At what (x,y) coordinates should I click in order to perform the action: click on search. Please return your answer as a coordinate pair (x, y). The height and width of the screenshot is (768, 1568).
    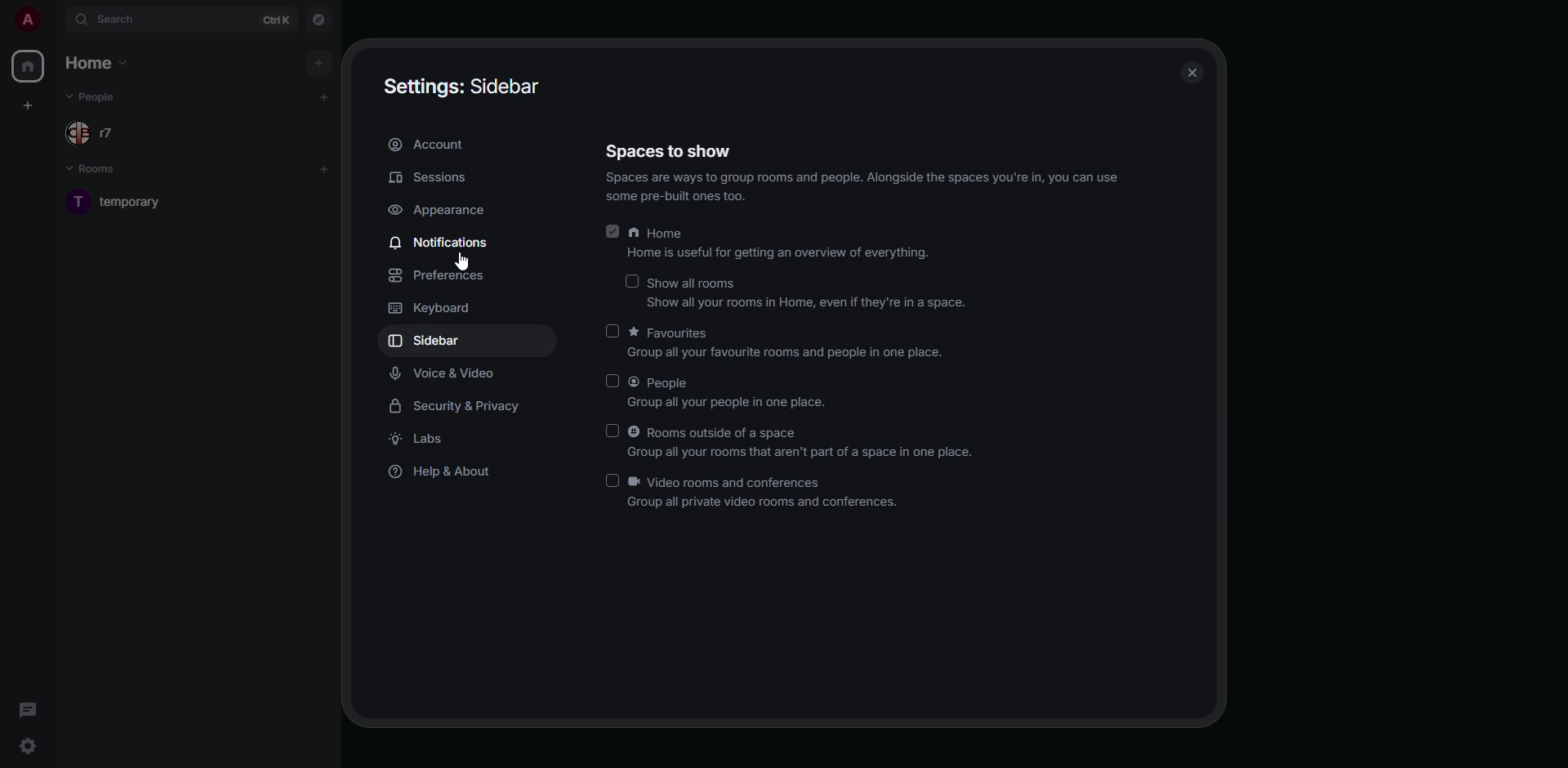
    Looking at the image, I should click on (106, 19).